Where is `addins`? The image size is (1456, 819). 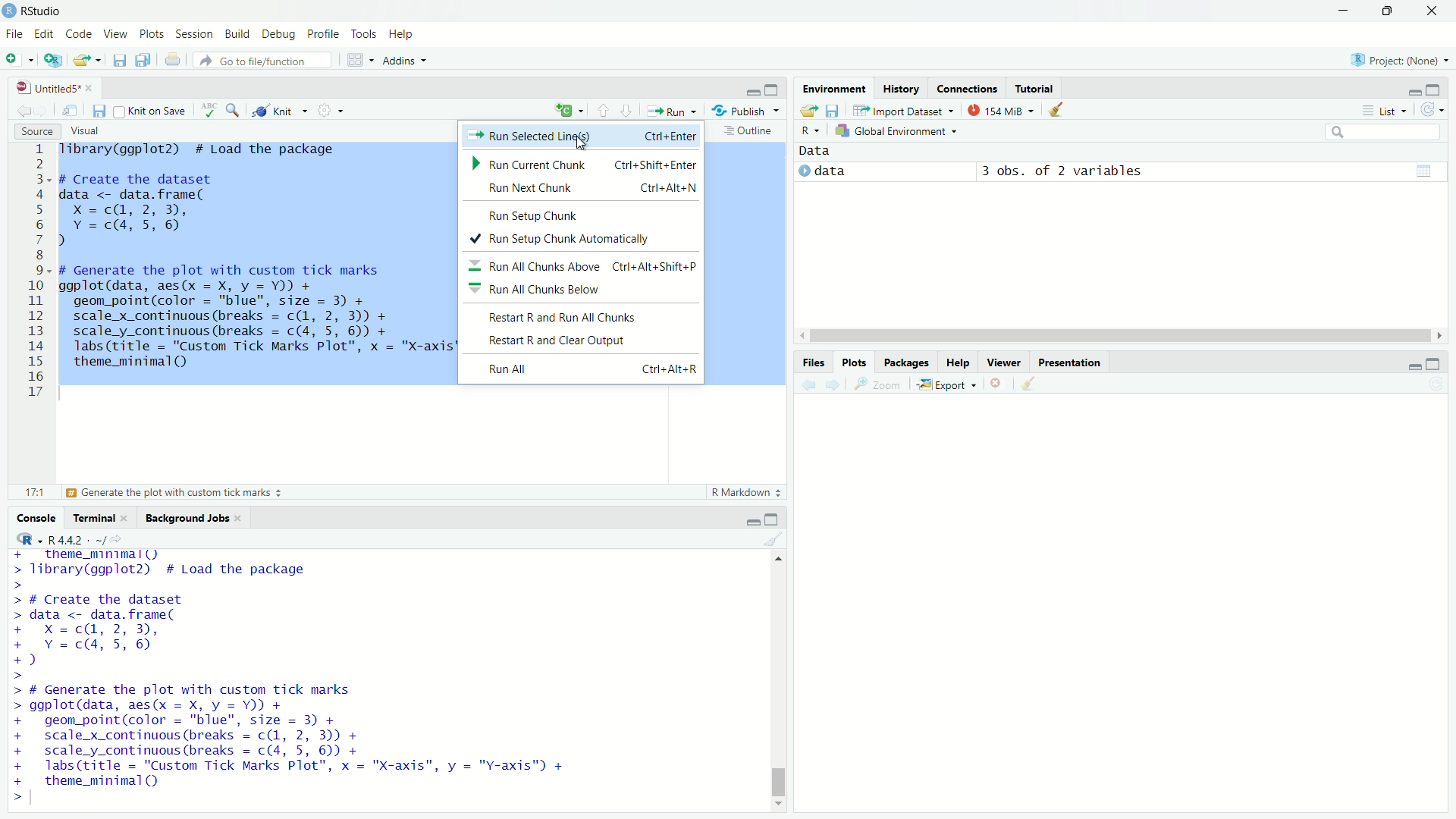 addins is located at coordinates (406, 61).